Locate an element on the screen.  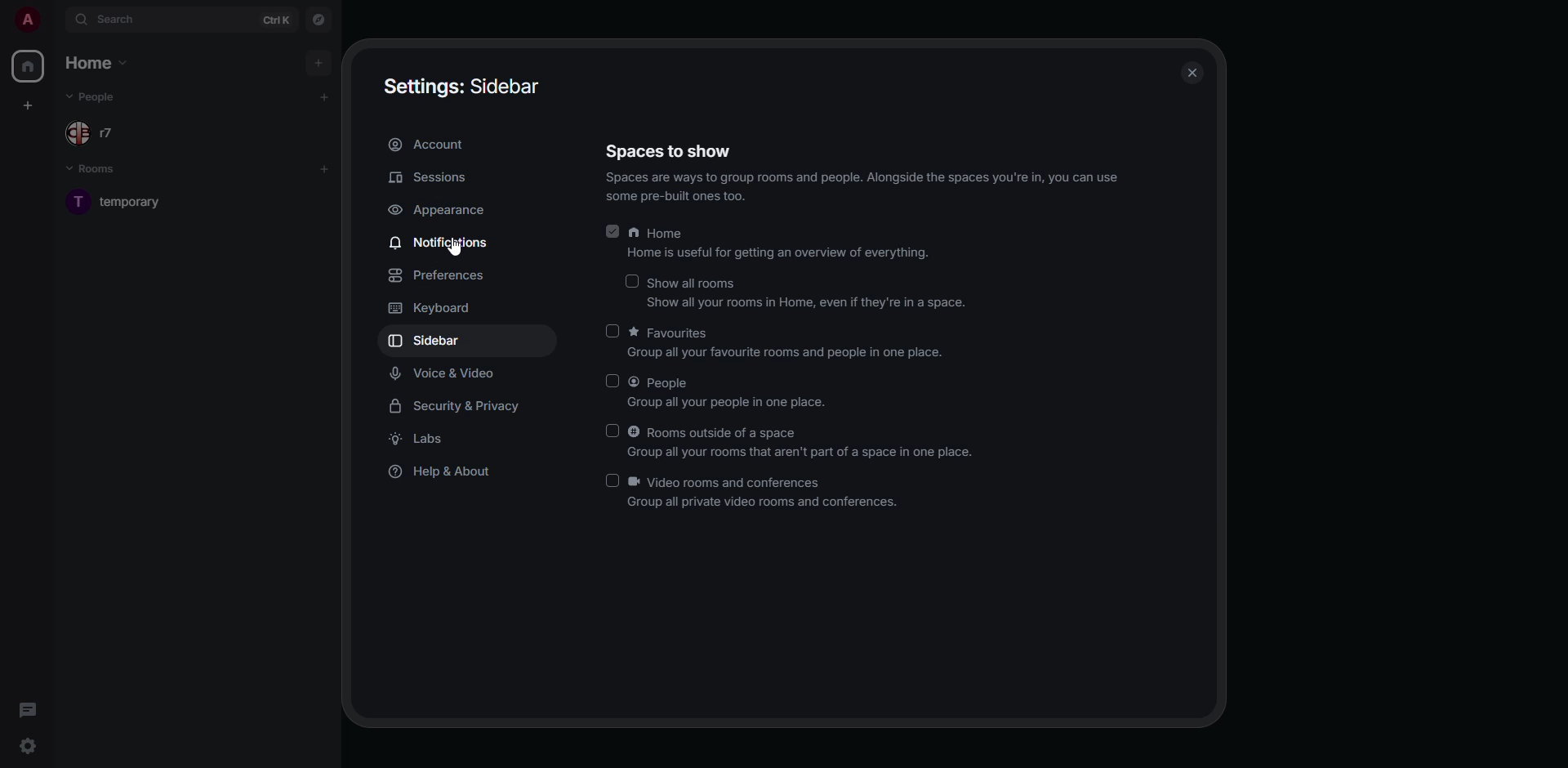
favorites is located at coordinates (785, 346).